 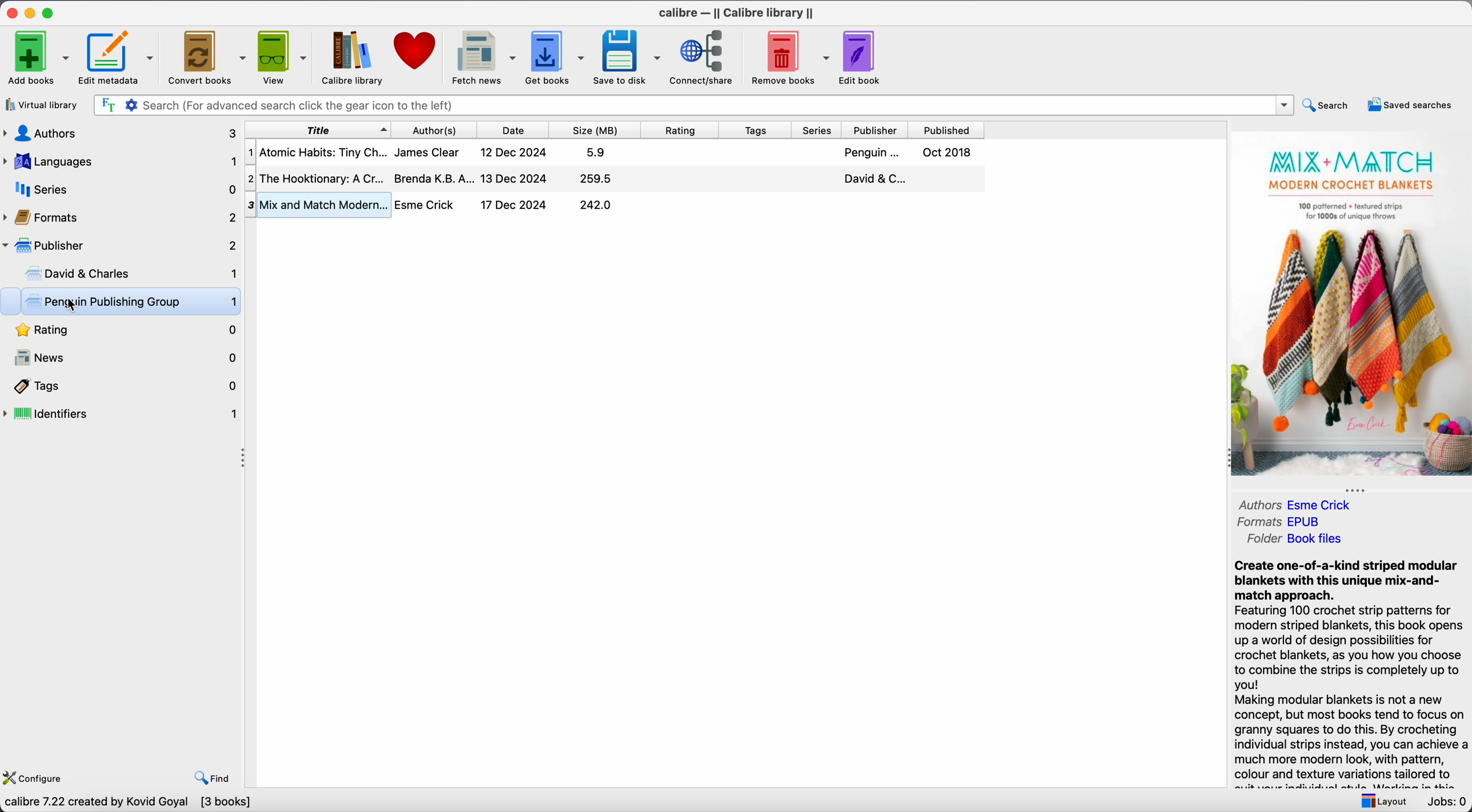 What do you see at coordinates (119, 58) in the screenshot?
I see `edit metadata` at bounding box center [119, 58].